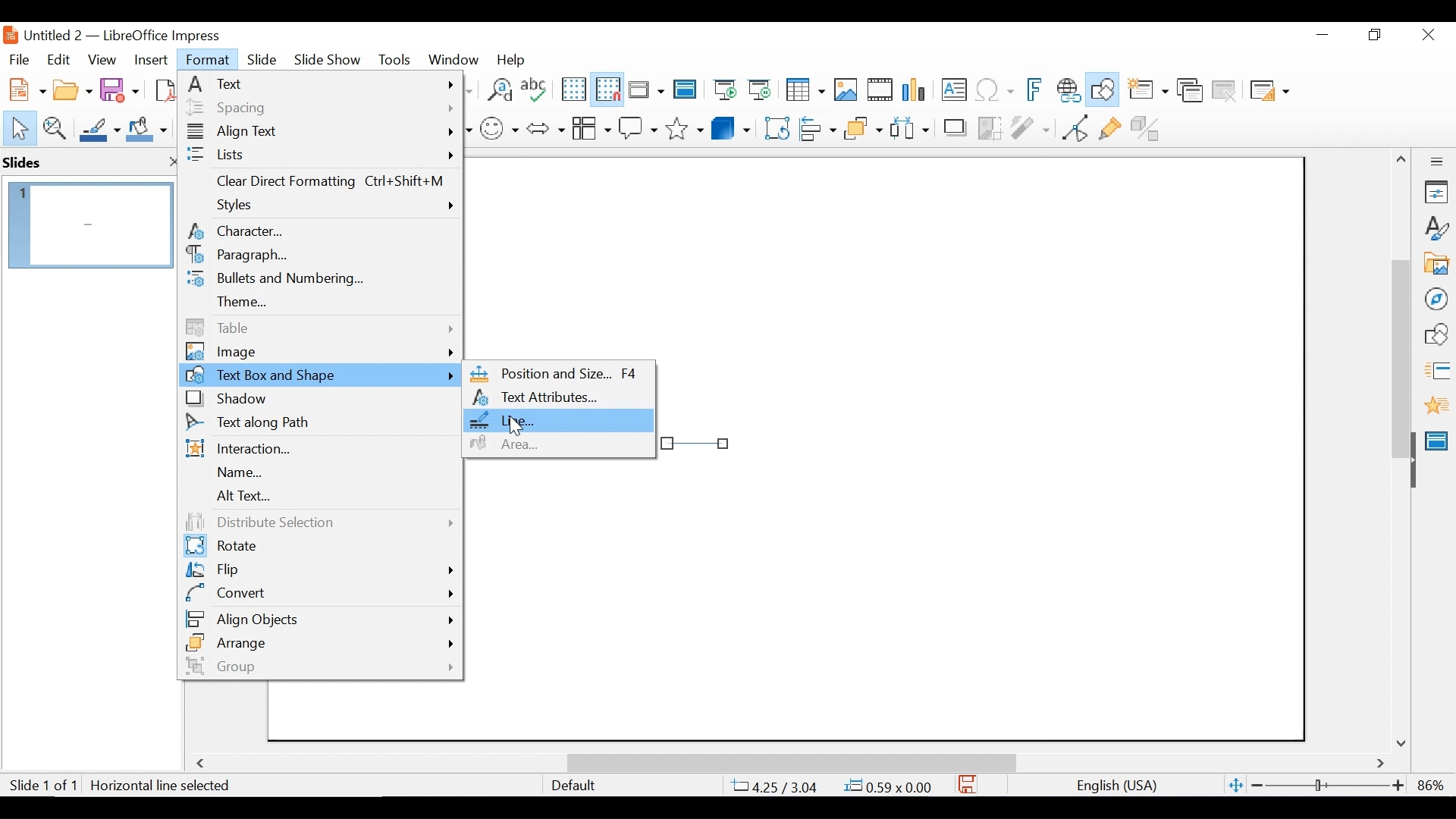  Describe the element at coordinates (1437, 162) in the screenshot. I see `Sidebar Settings` at that location.